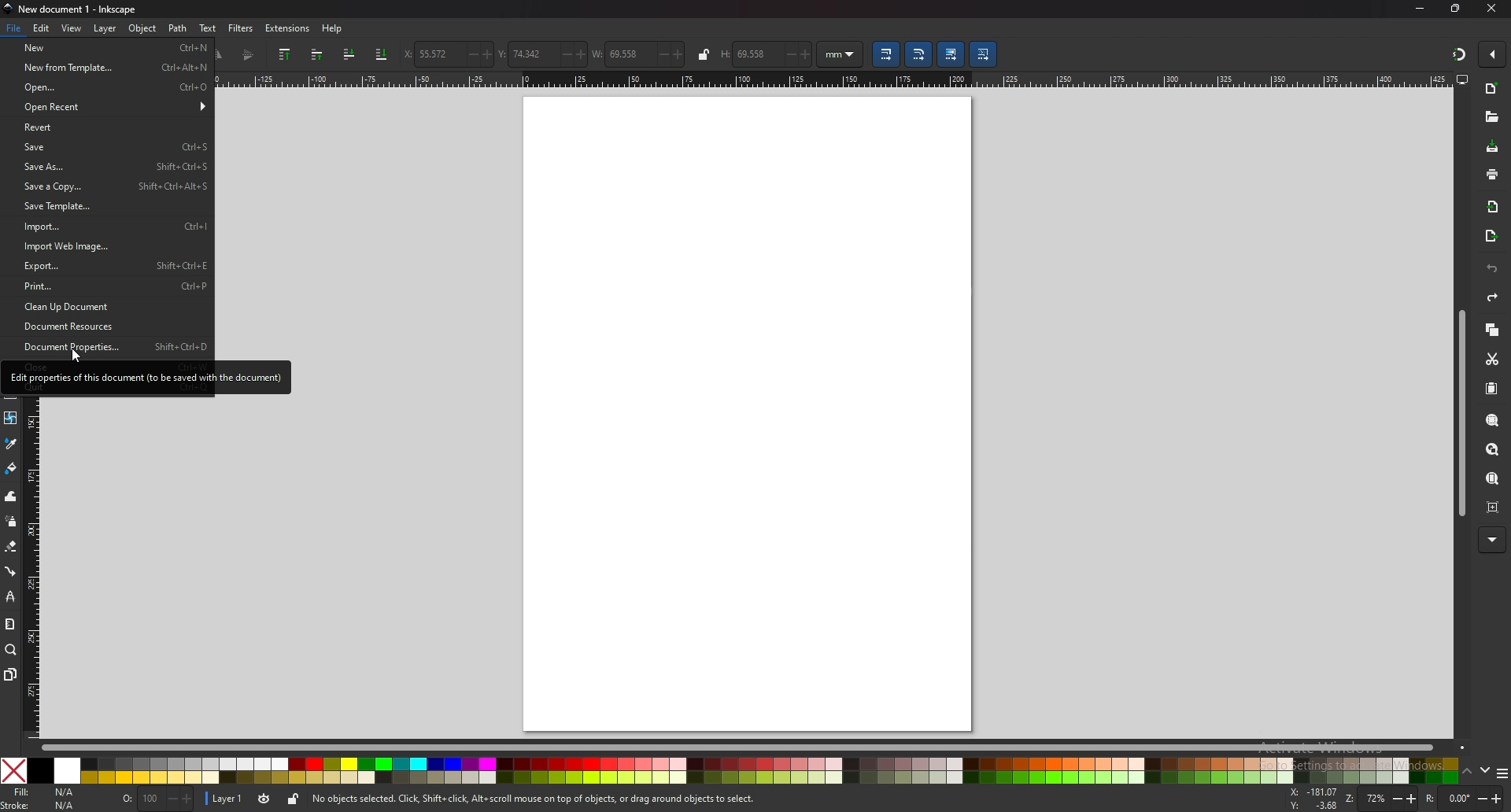  What do you see at coordinates (1494, 209) in the screenshot?
I see `import` at bounding box center [1494, 209].